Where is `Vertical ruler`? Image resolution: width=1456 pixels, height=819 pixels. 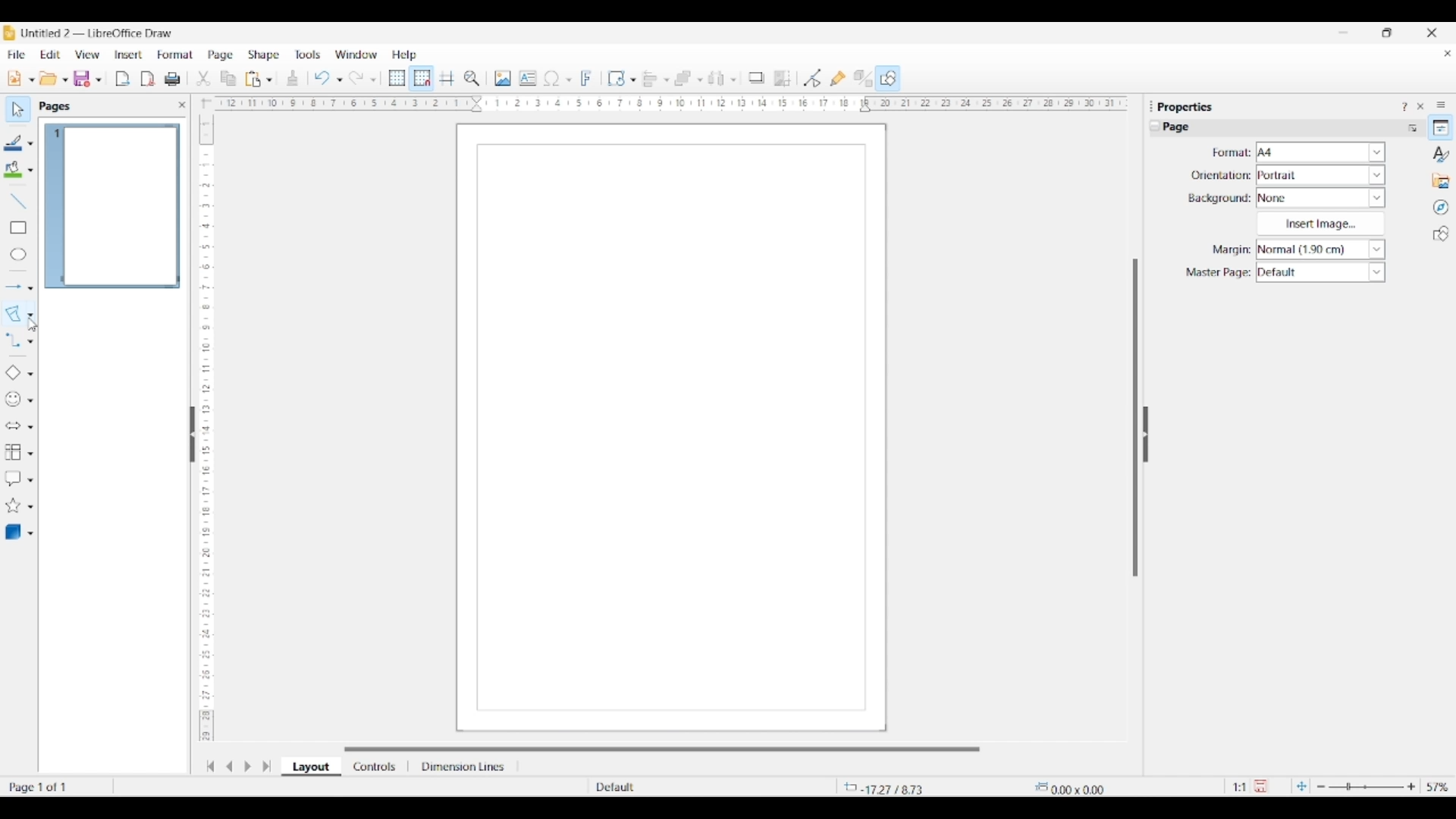 Vertical ruler is located at coordinates (204, 421).